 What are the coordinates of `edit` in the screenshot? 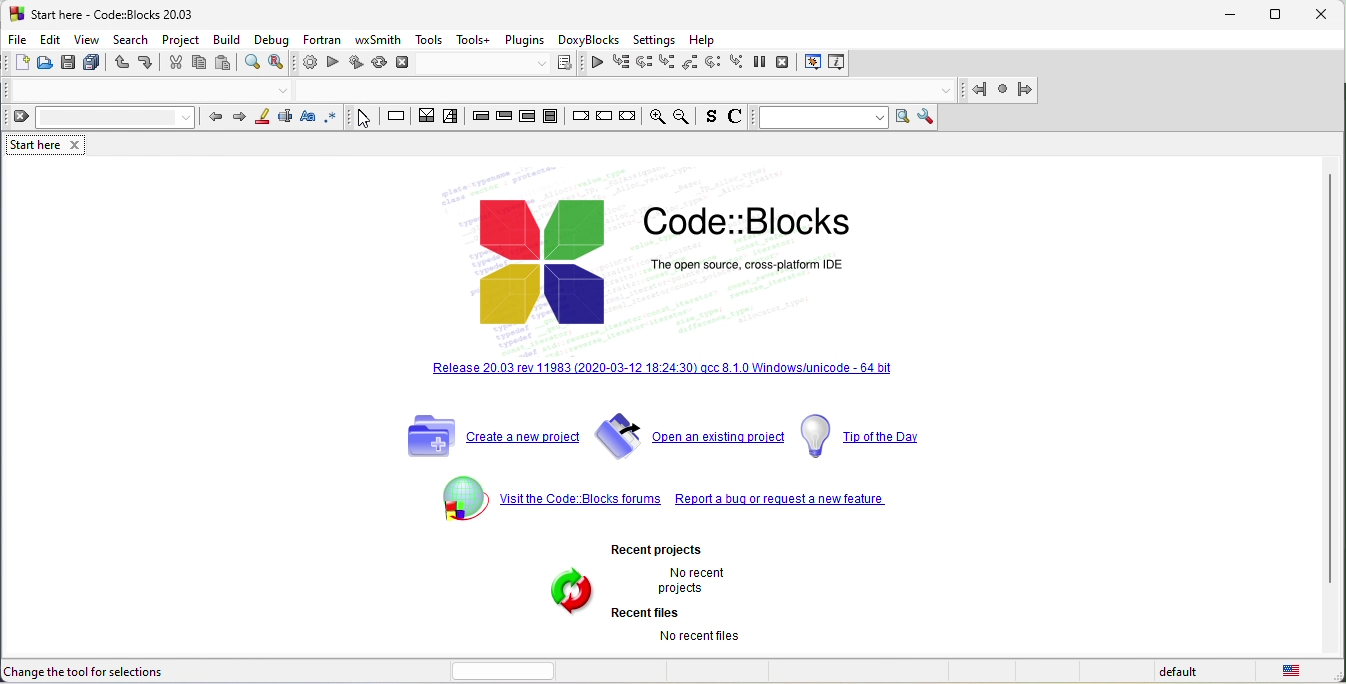 It's located at (53, 40).